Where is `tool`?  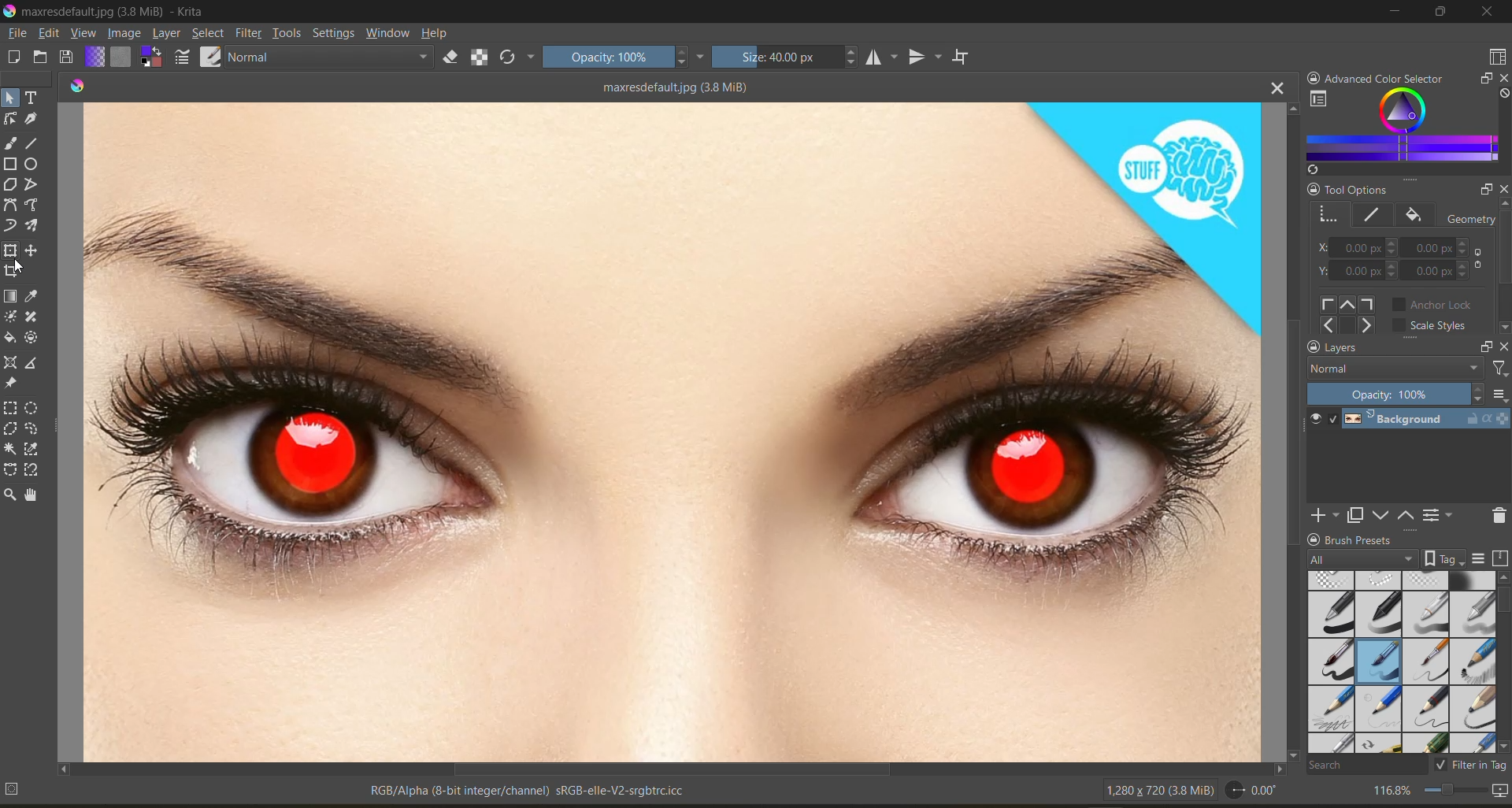 tool is located at coordinates (31, 120).